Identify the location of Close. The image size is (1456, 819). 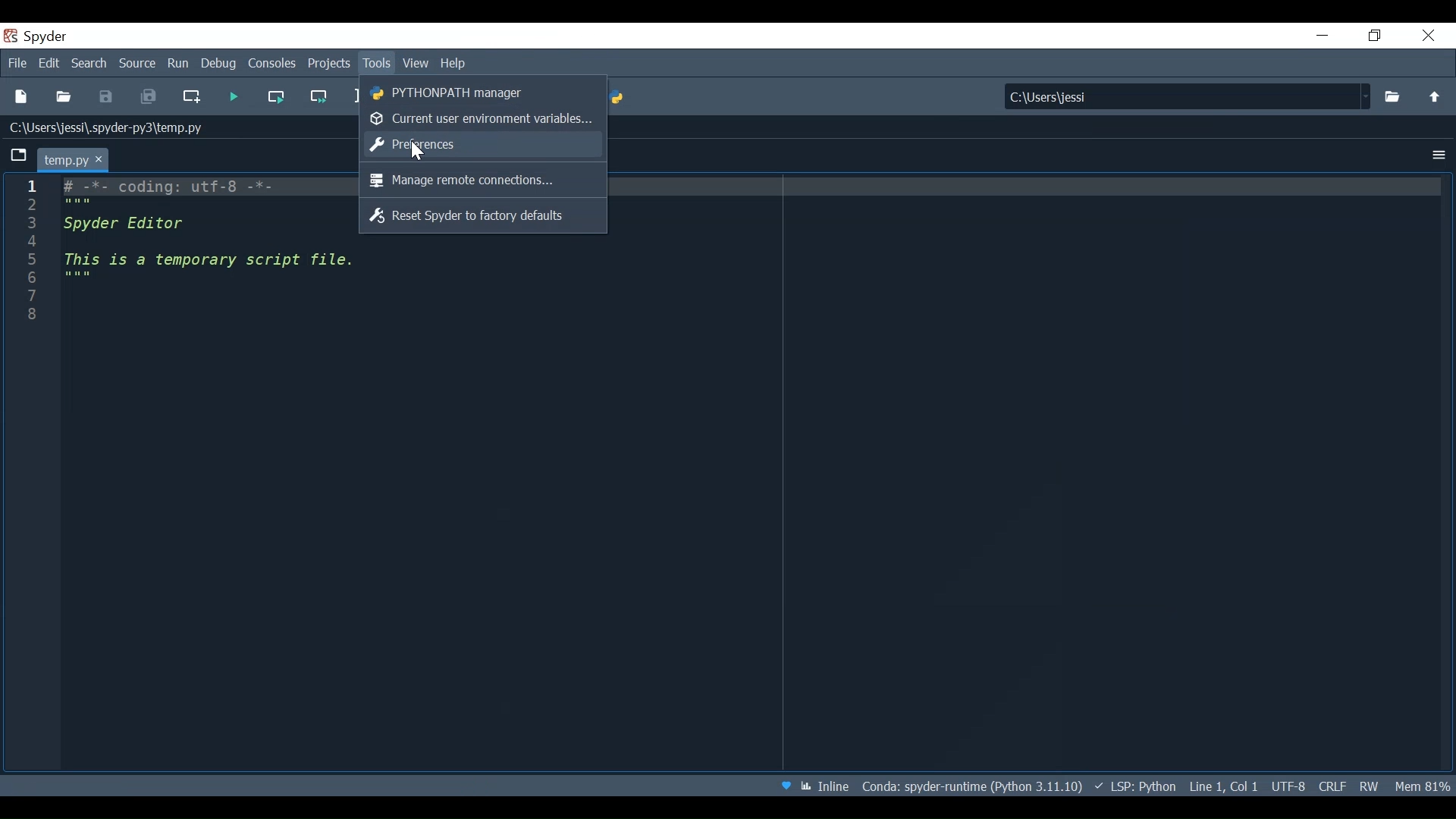
(1426, 36).